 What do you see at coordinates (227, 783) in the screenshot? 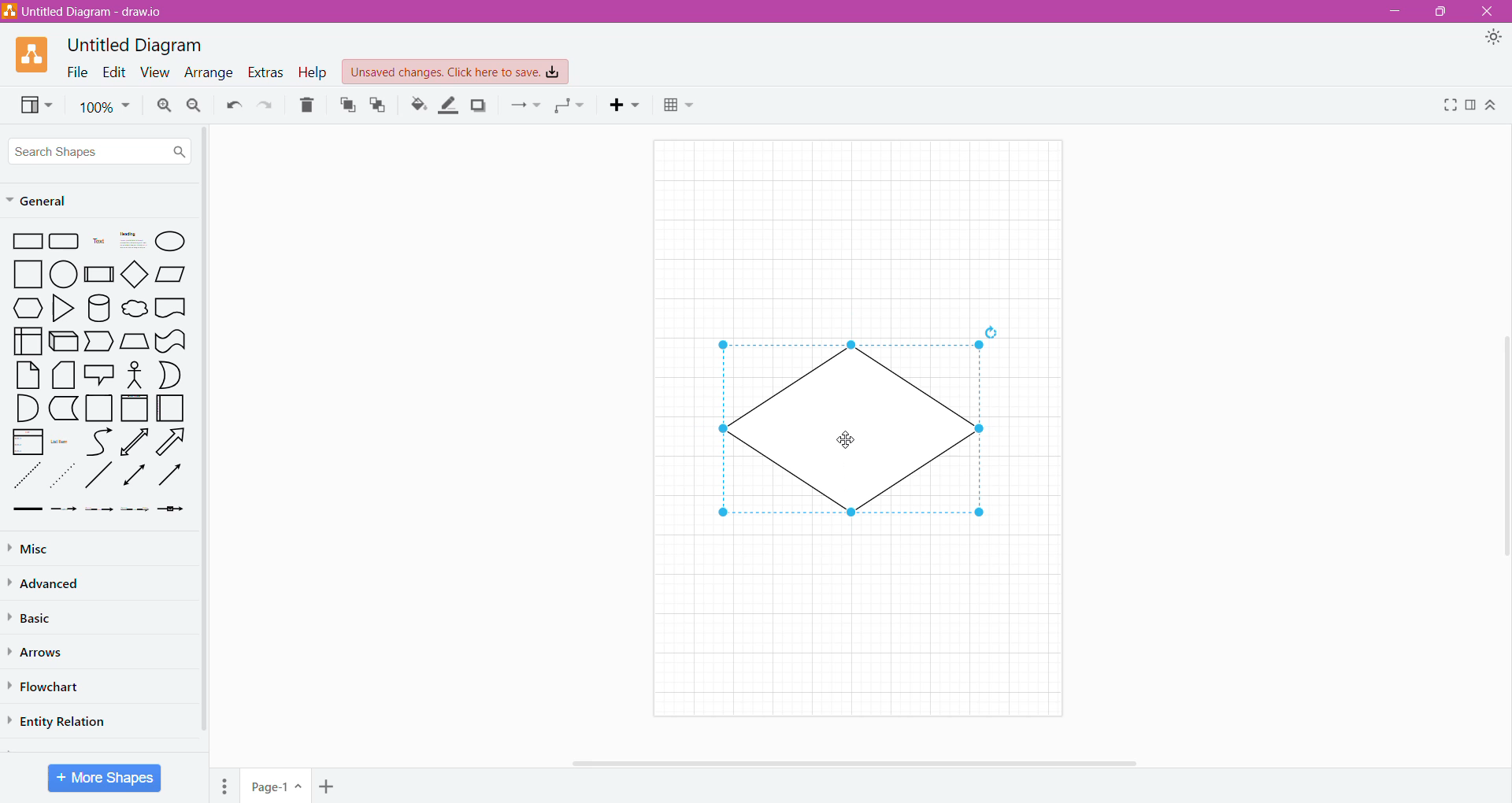
I see `` at bounding box center [227, 783].